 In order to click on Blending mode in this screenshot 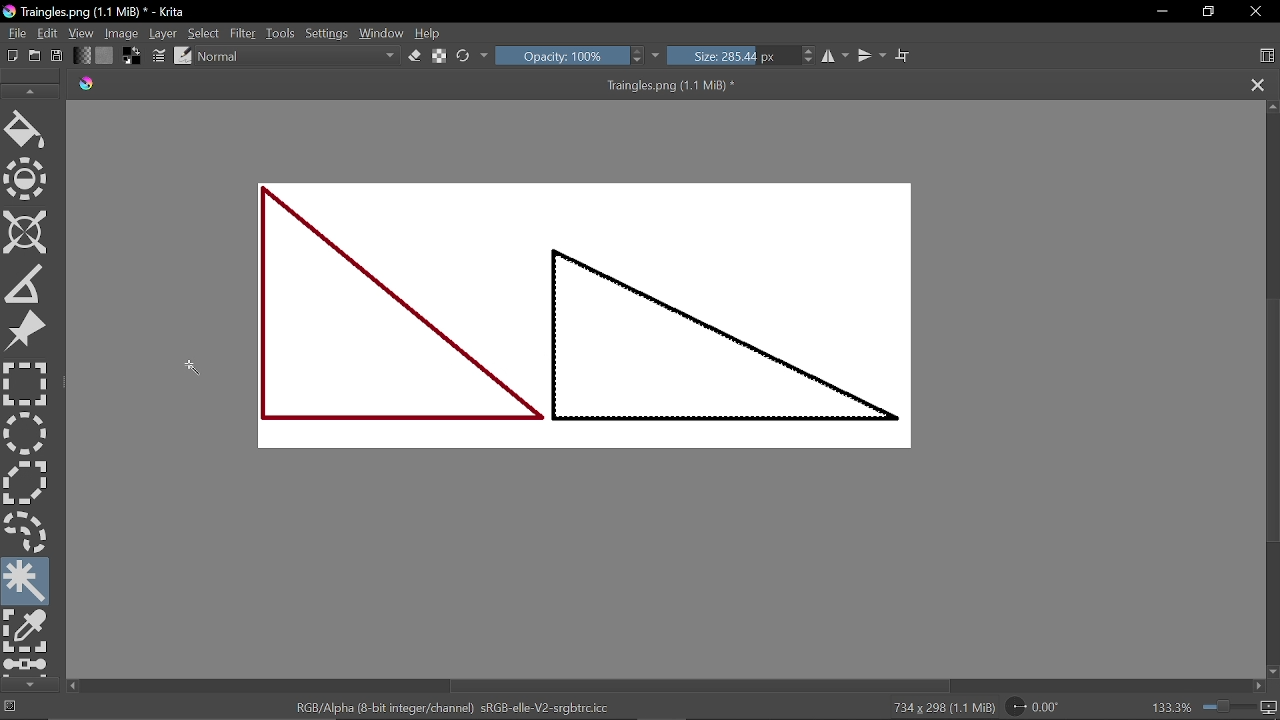, I will do `click(298, 56)`.